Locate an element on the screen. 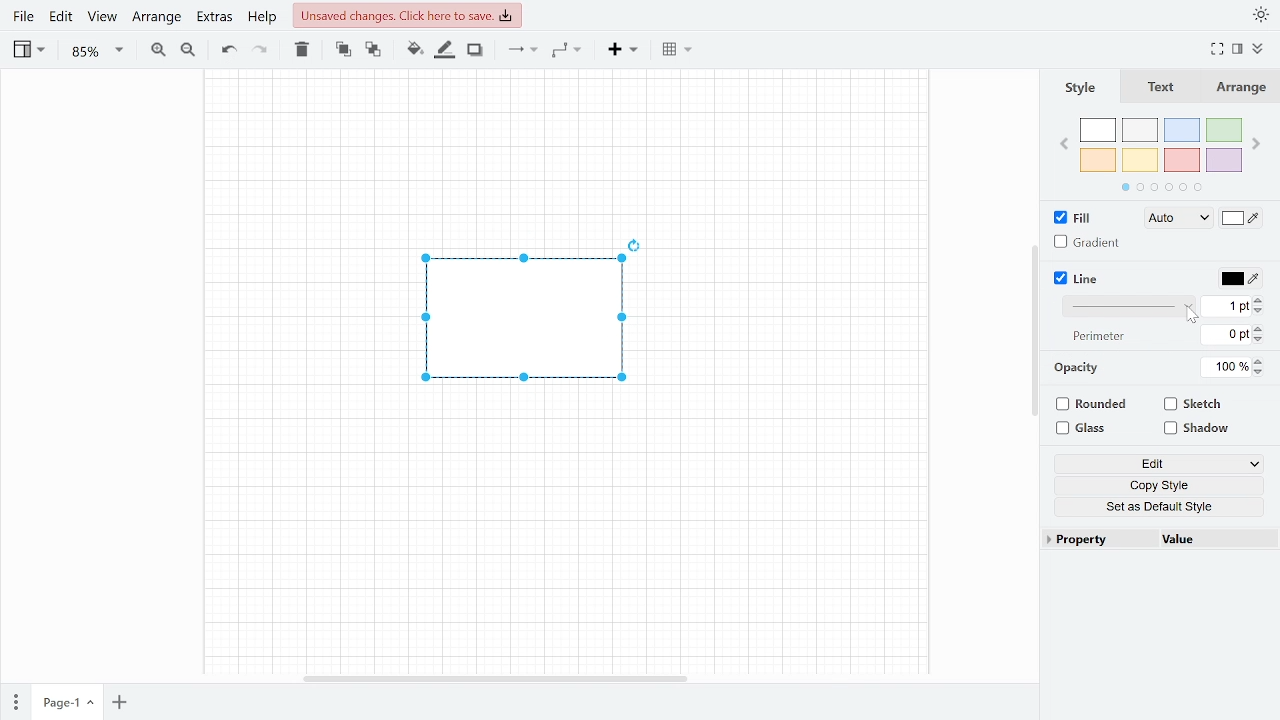 This screenshot has width=1280, height=720. Extras is located at coordinates (213, 19).